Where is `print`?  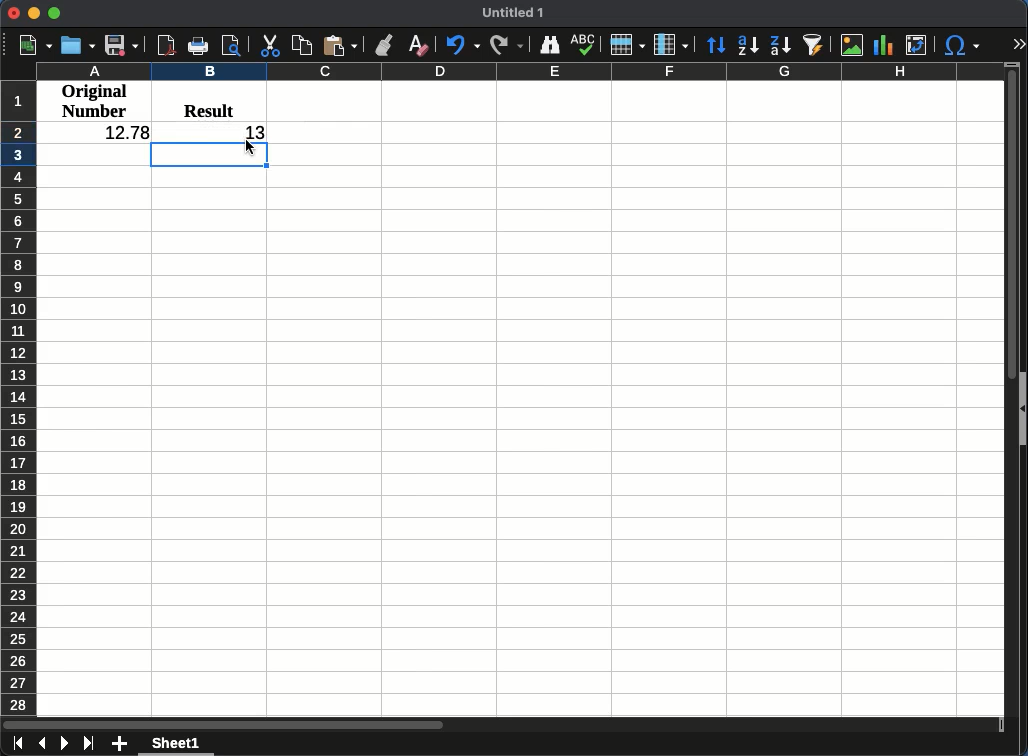 print is located at coordinates (200, 45).